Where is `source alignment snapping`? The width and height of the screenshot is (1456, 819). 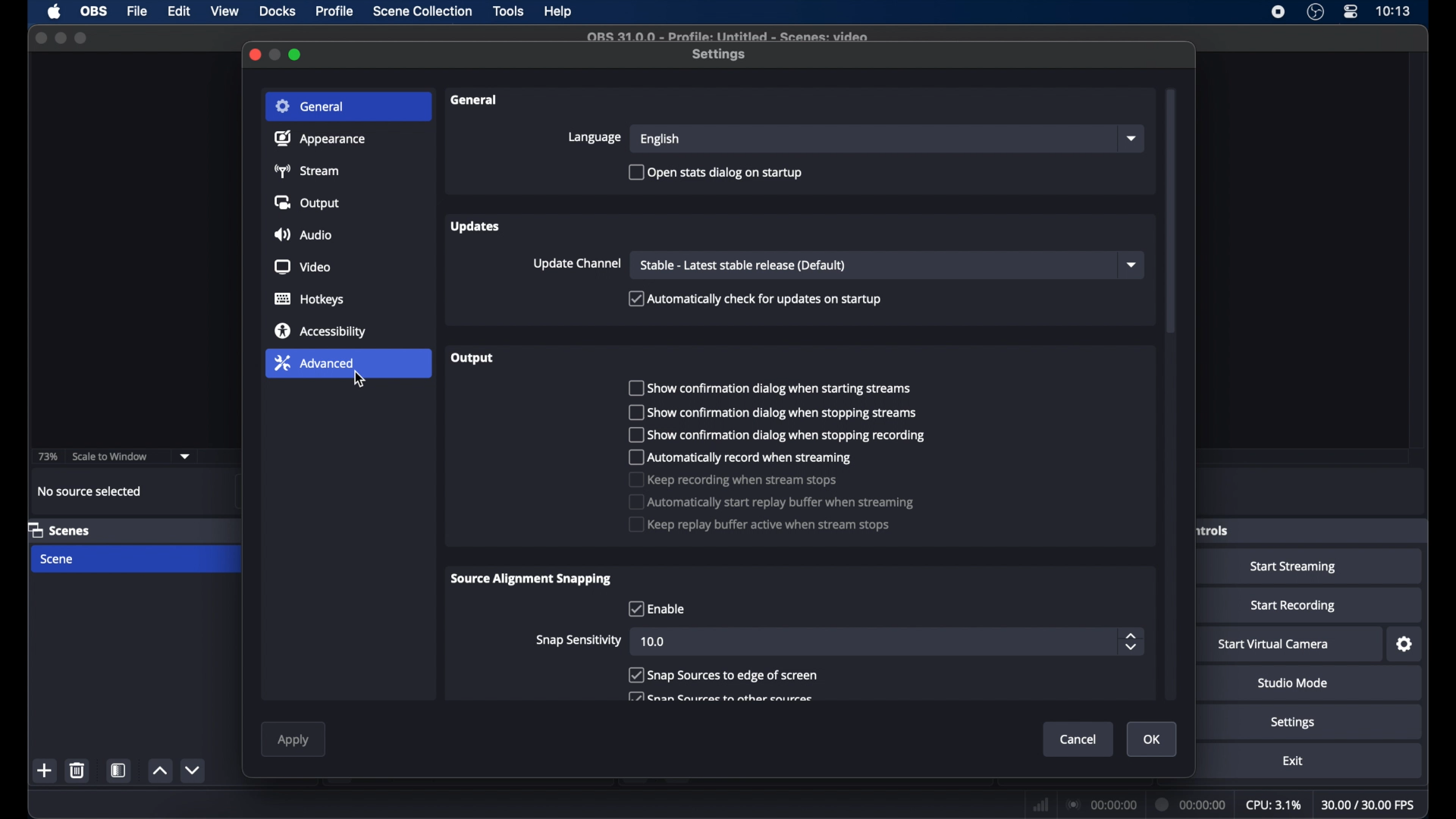 source alignment snapping is located at coordinates (532, 579).